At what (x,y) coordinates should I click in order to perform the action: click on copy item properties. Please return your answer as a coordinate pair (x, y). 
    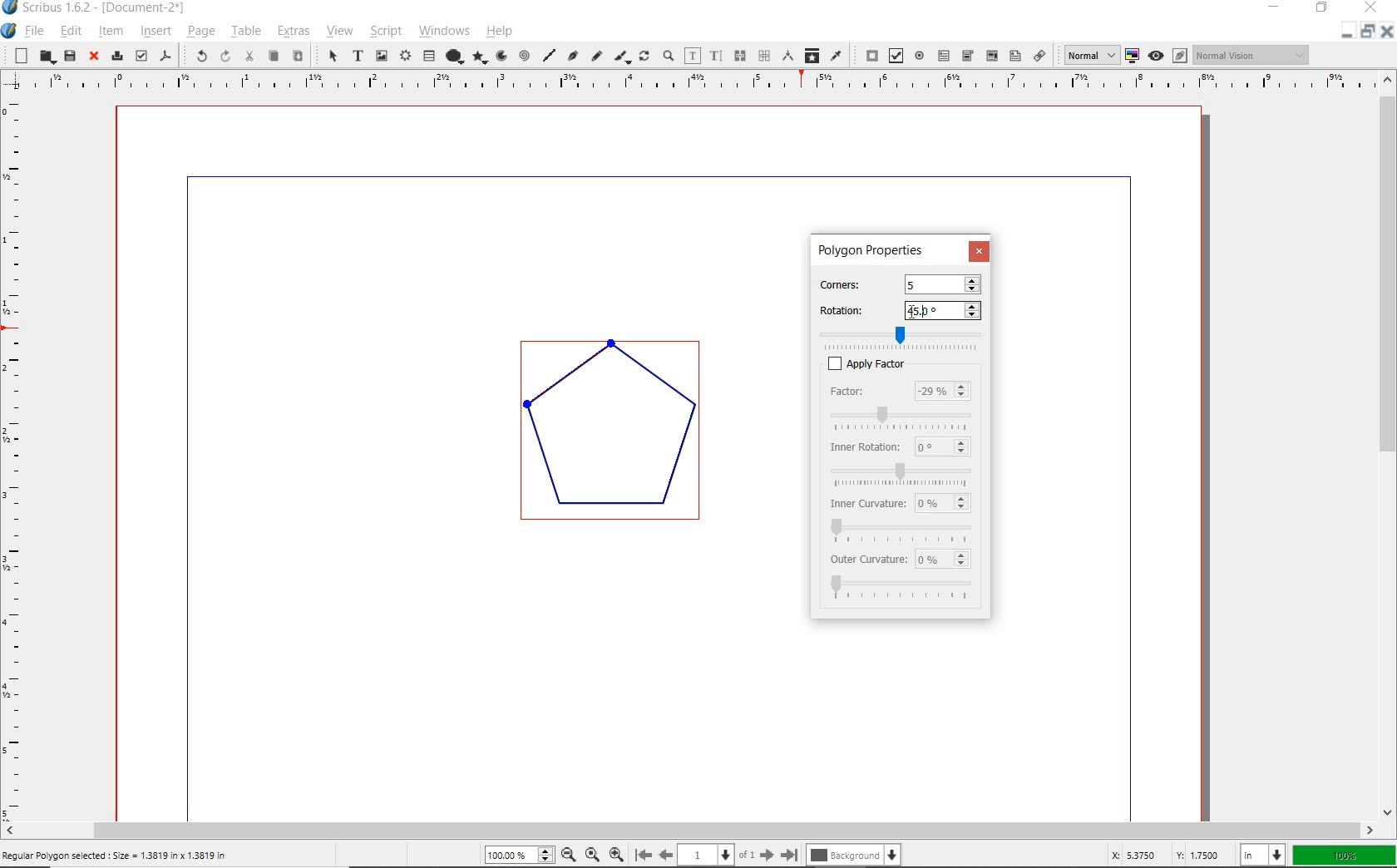
    Looking at the image, I should click on (813, 57).